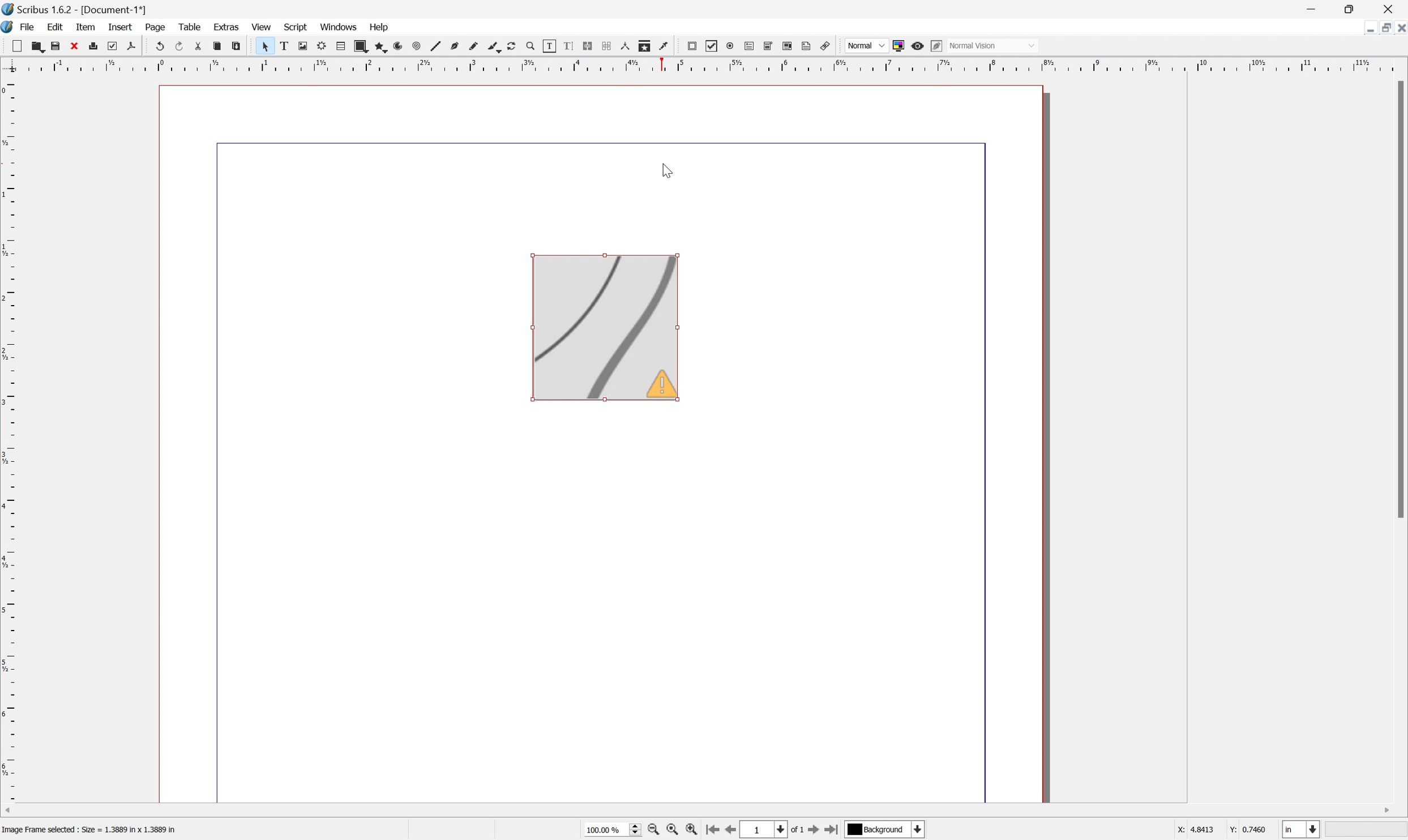 The width and height of the screenshot is (1408, 840). I want to click on Restore down, so click(1381, 29).